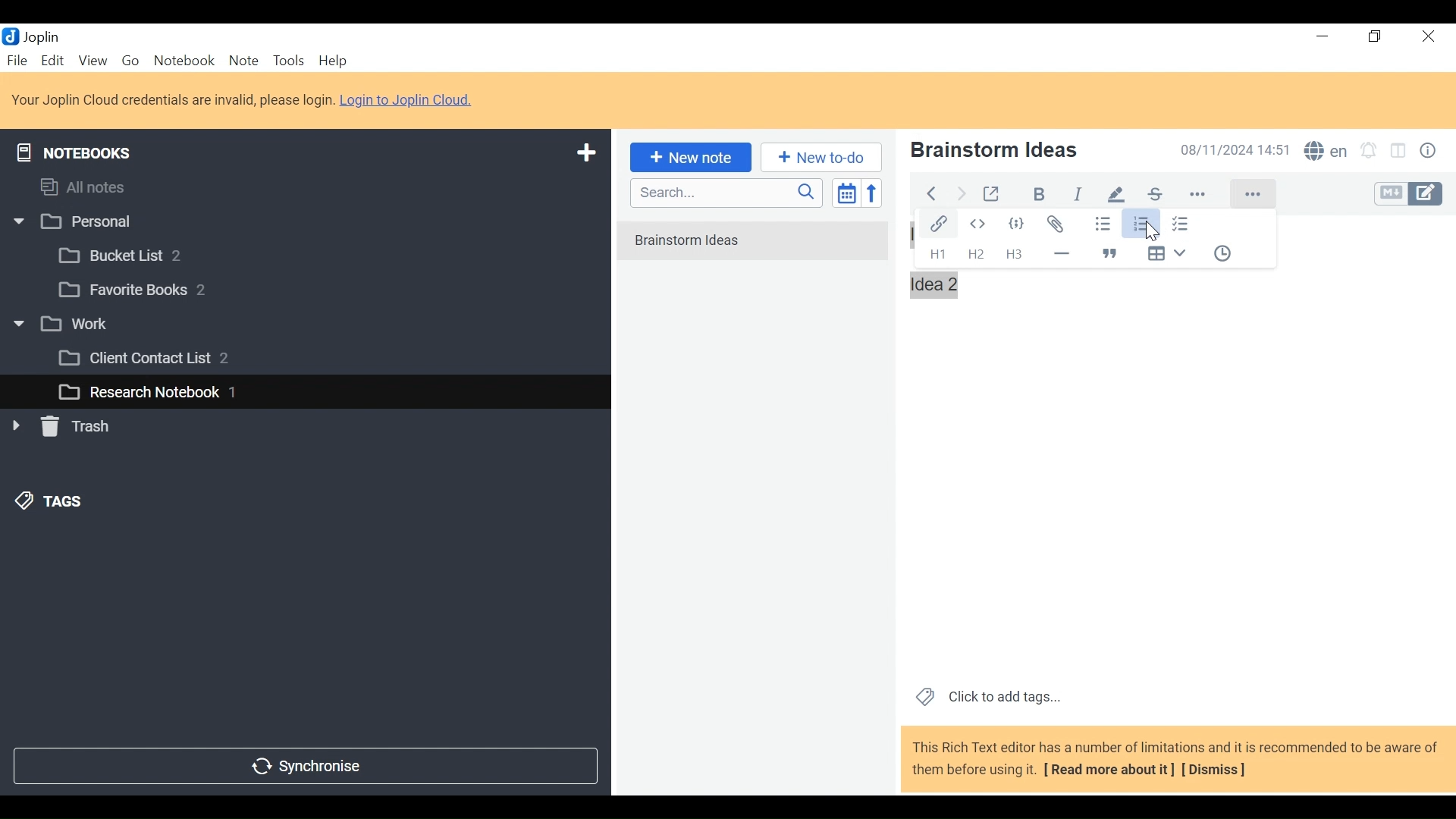  Describe the element at coordinates (66, 503) in the screenshot. I see `&) TAGS` at that location.